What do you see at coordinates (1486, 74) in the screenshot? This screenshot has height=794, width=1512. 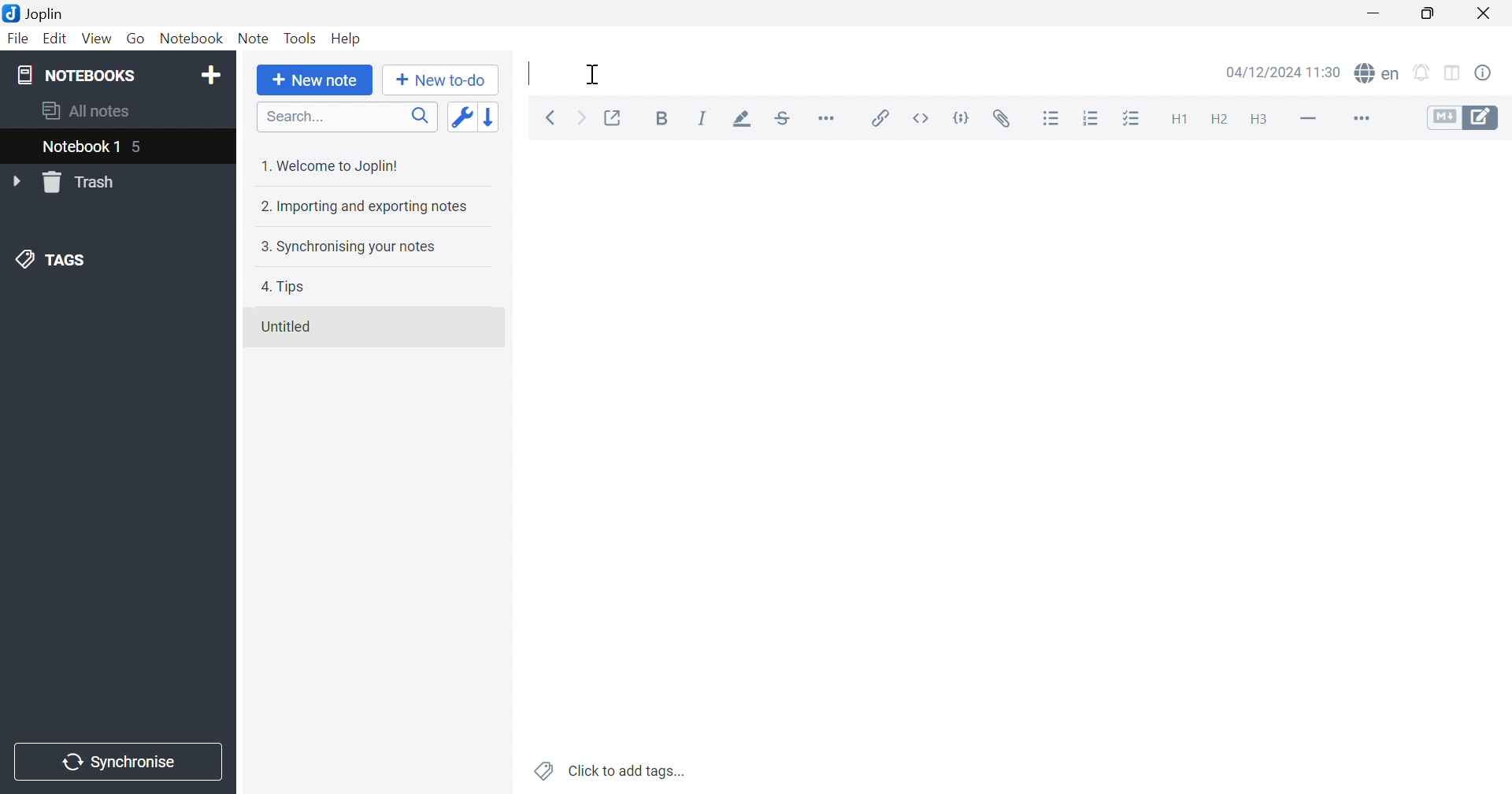 I see `Note properties` at bounding box center [1486, 74].